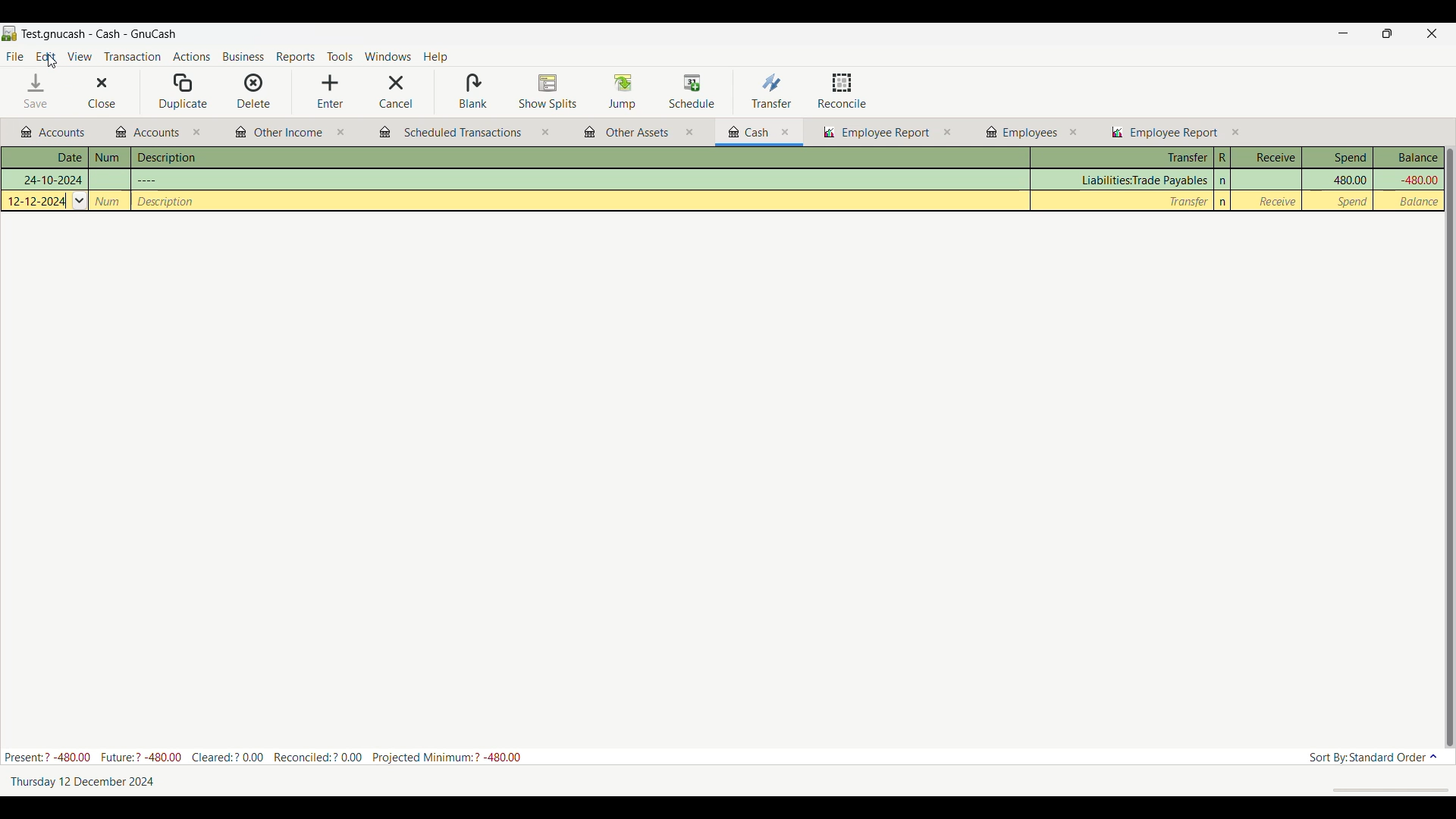 The width and height of the screenshot is (1456, 819). I want to click on Spend column, so click(1338, 158).